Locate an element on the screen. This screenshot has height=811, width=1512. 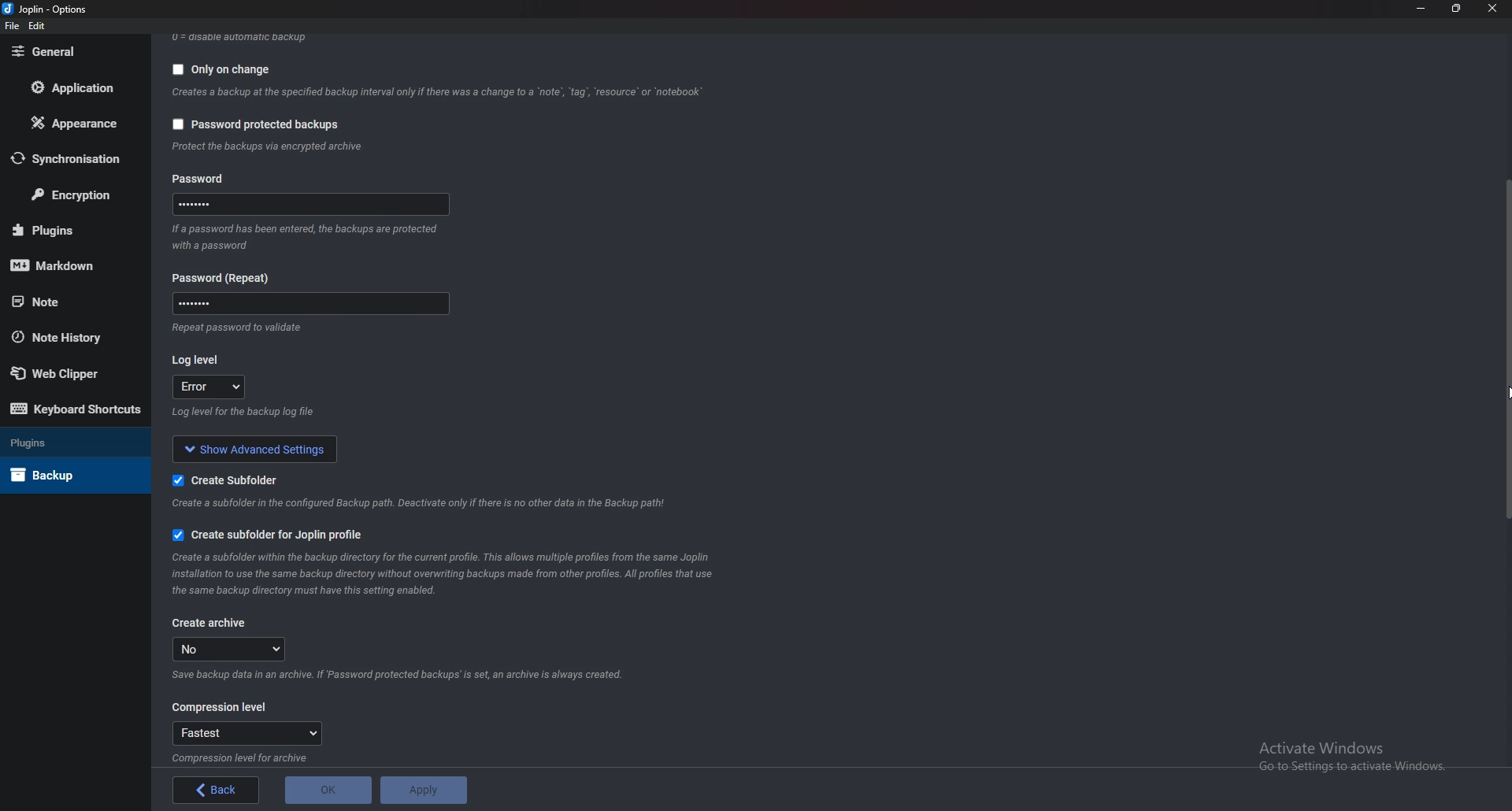
edit is located at coordinates (38, 26).